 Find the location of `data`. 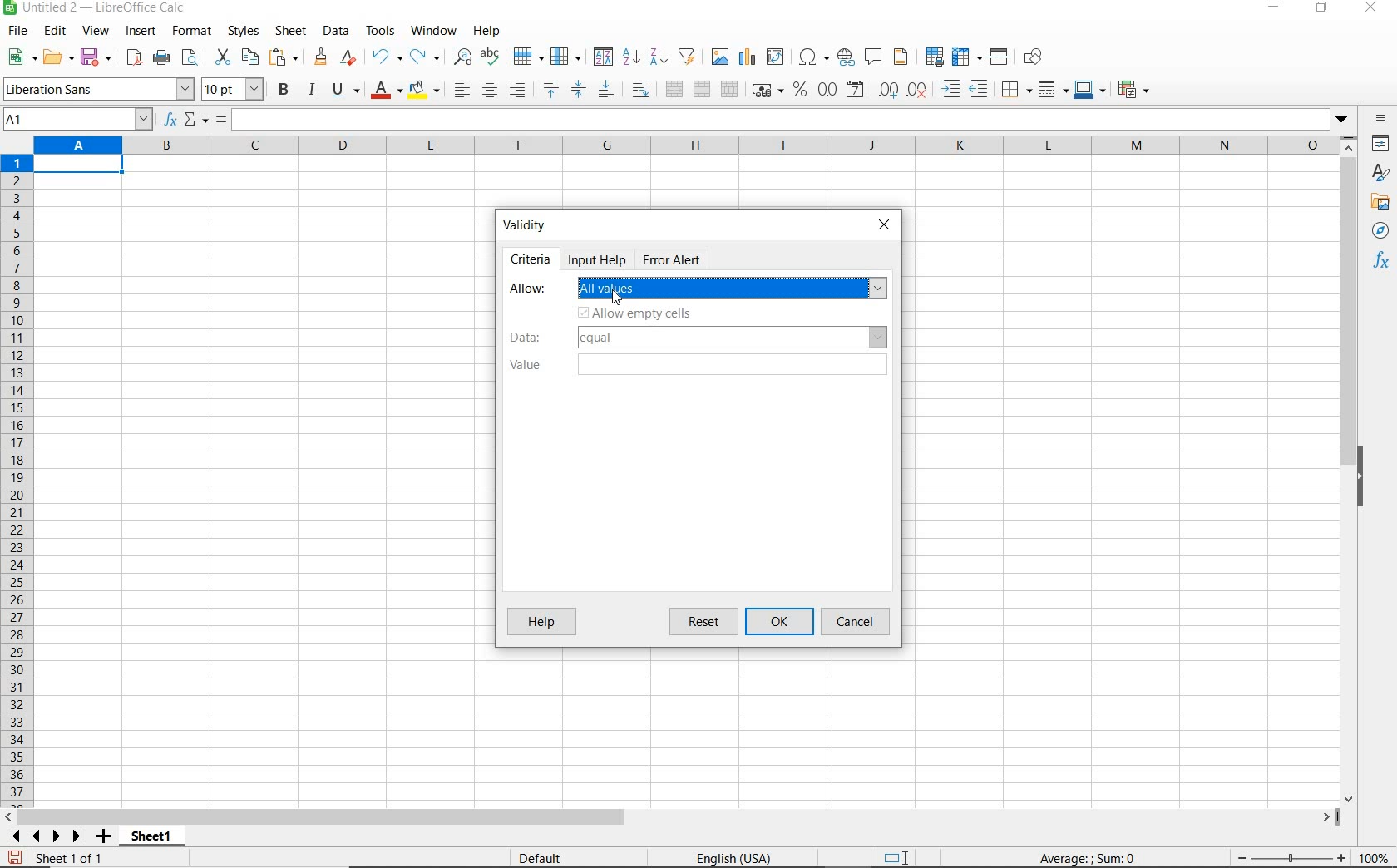

data is located at coordinates (694, 338).